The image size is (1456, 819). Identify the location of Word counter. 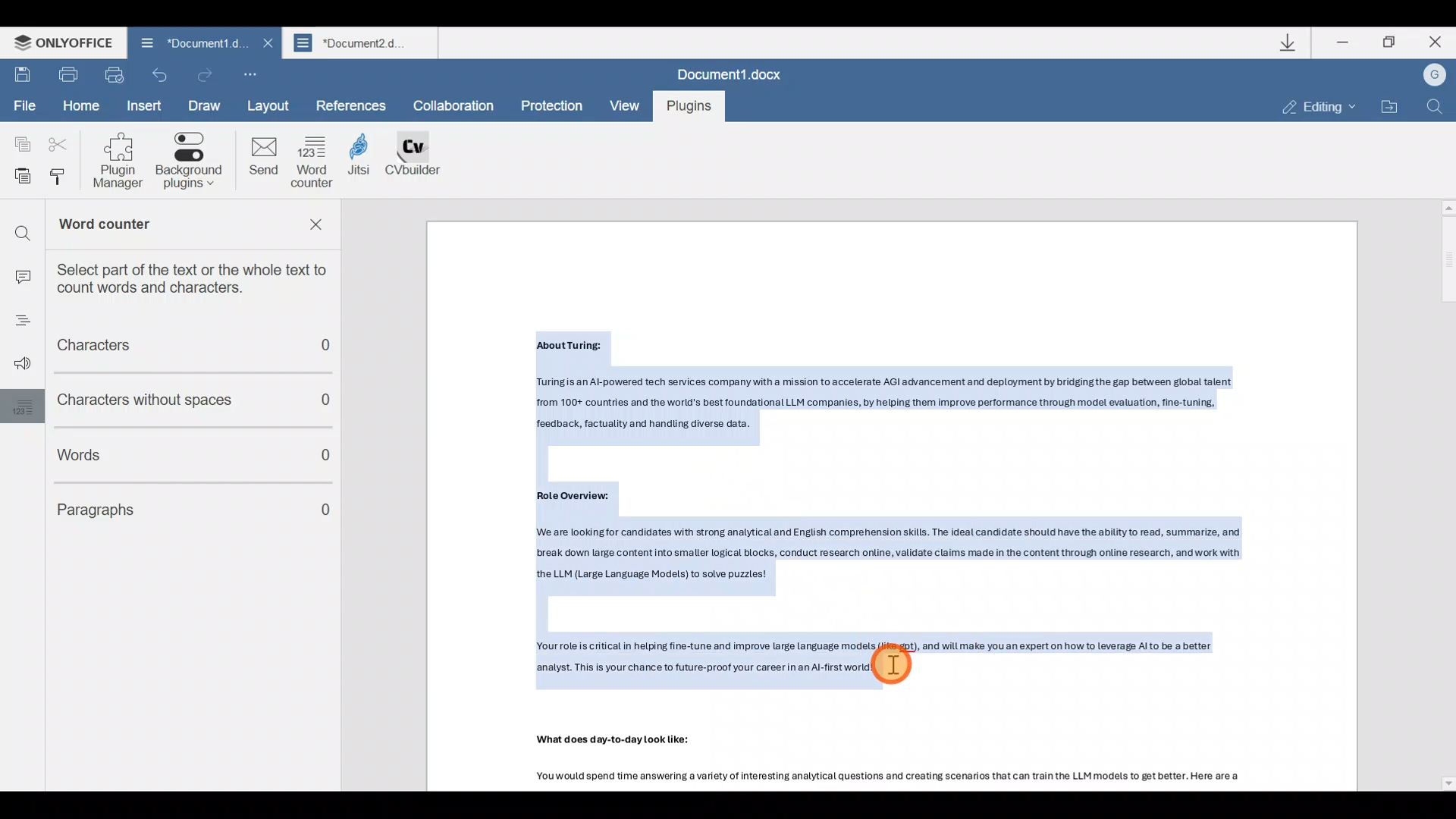
(150, 226).